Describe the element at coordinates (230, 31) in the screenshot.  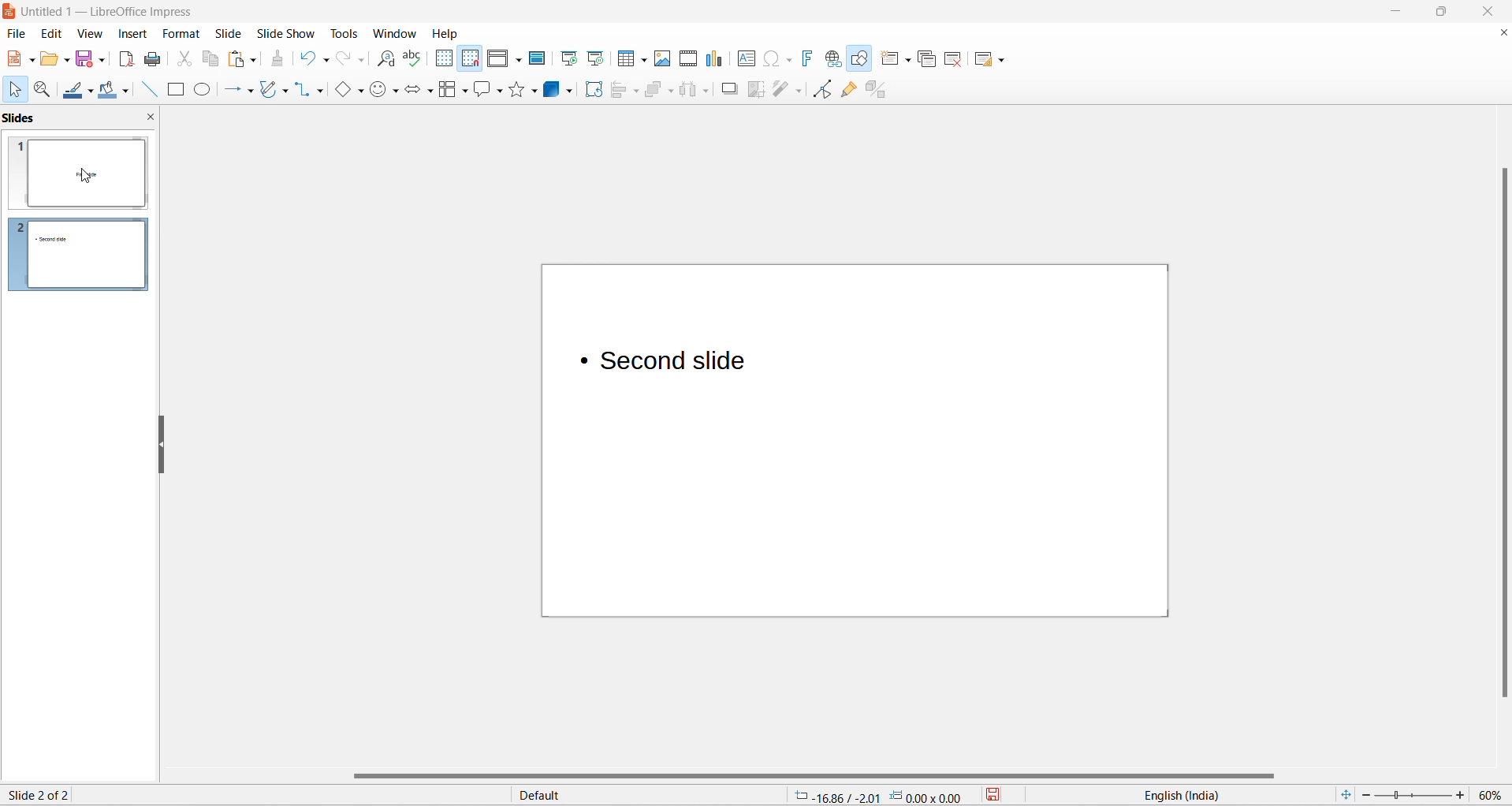
I see `` at that location.